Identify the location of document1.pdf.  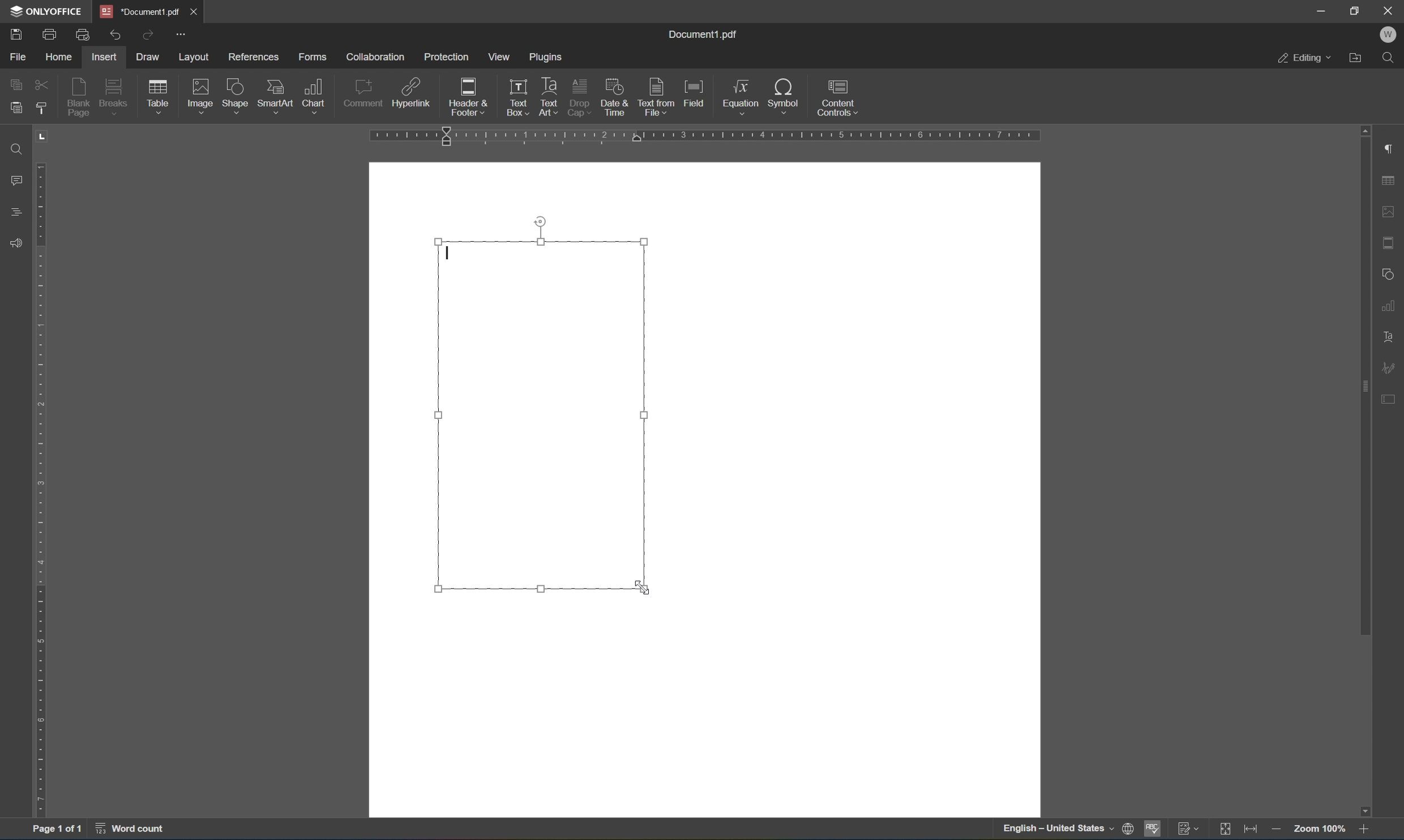
(702, 35).